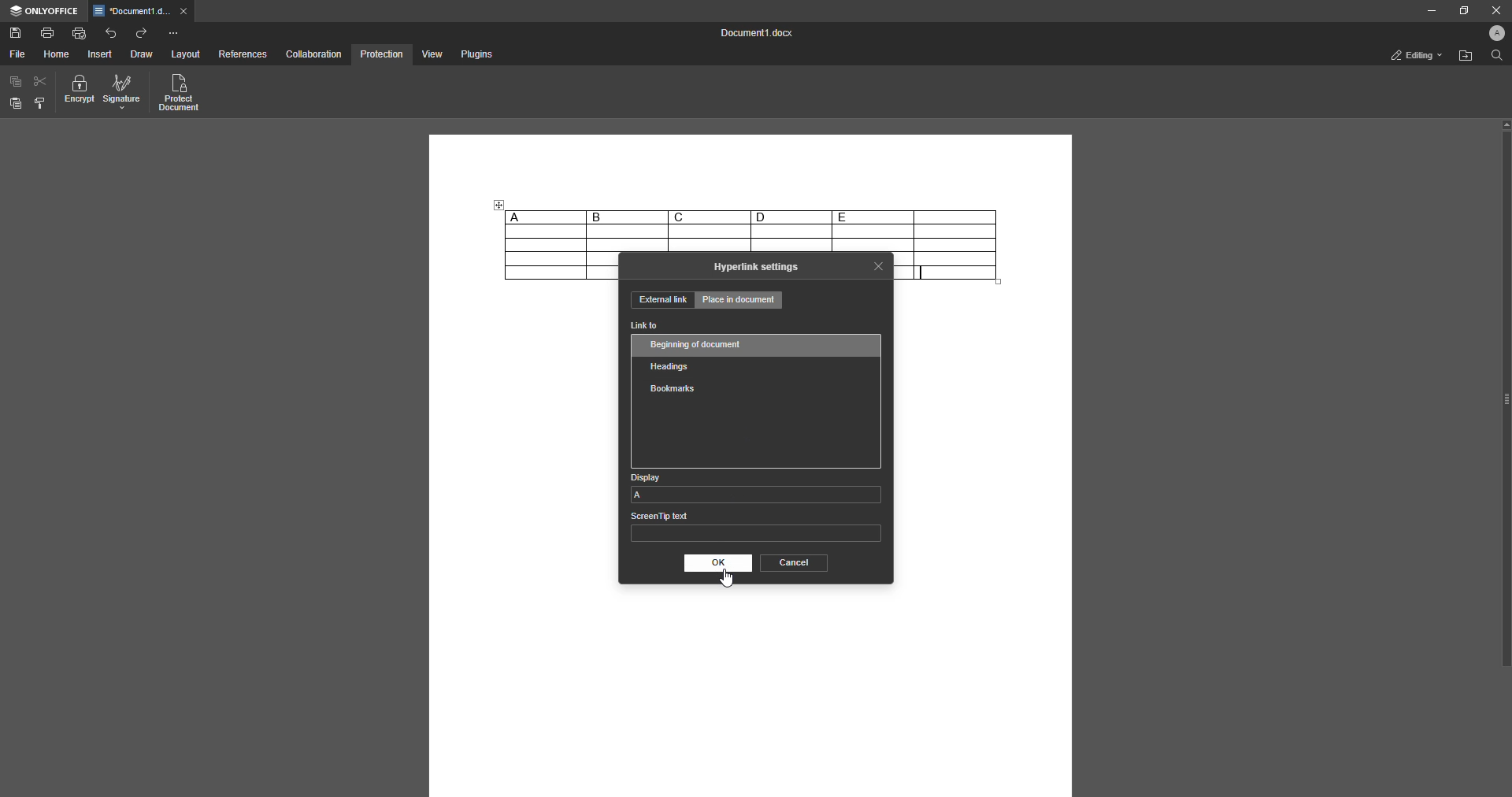 The height and width of the screenshot is (797, 1512). What do you see at coordinates (873, 217) in the screenshot?
I see `E` at bounding box center [873, 217].